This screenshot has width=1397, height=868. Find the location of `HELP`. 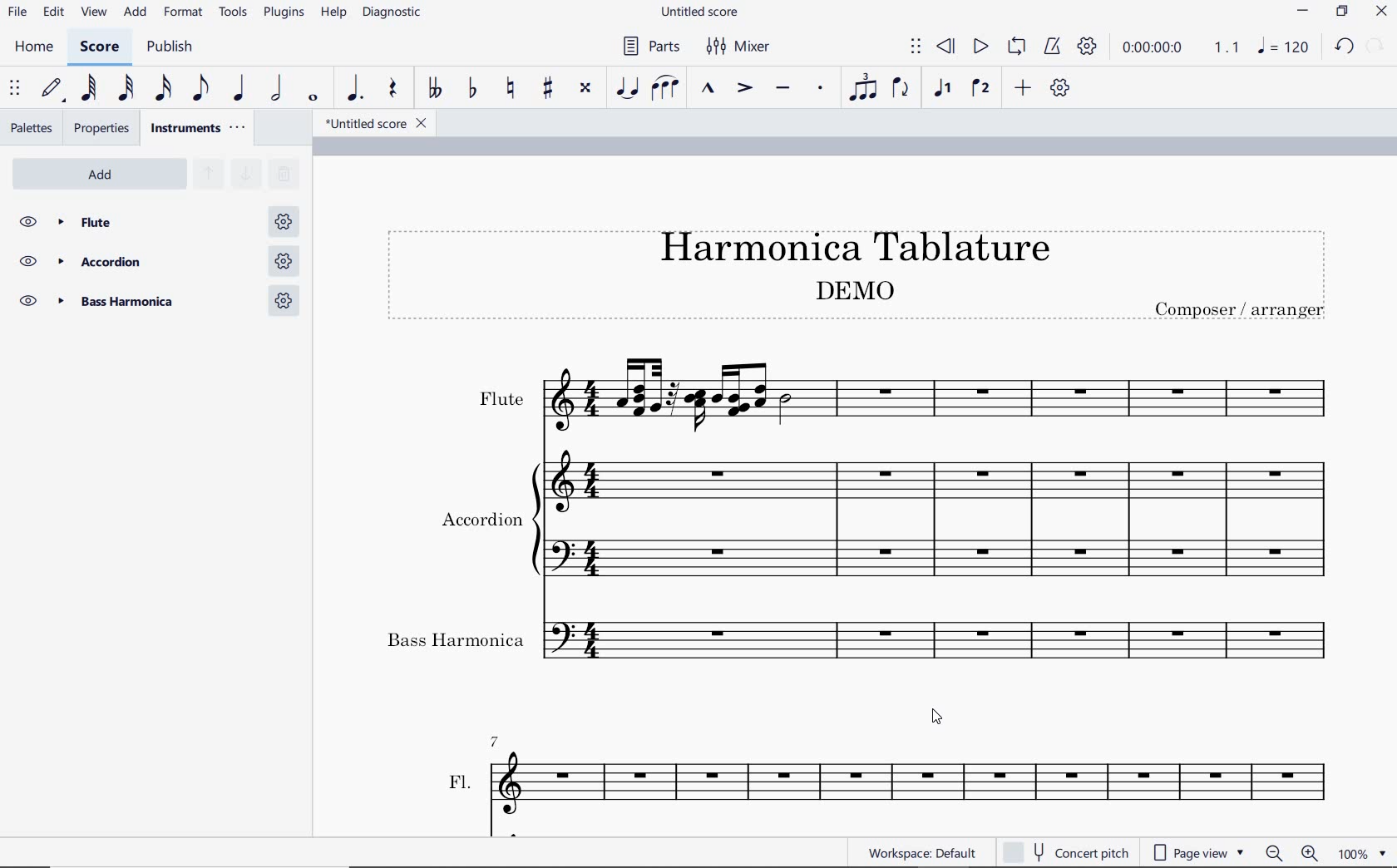

HELP is located at coordinates (334, 13).